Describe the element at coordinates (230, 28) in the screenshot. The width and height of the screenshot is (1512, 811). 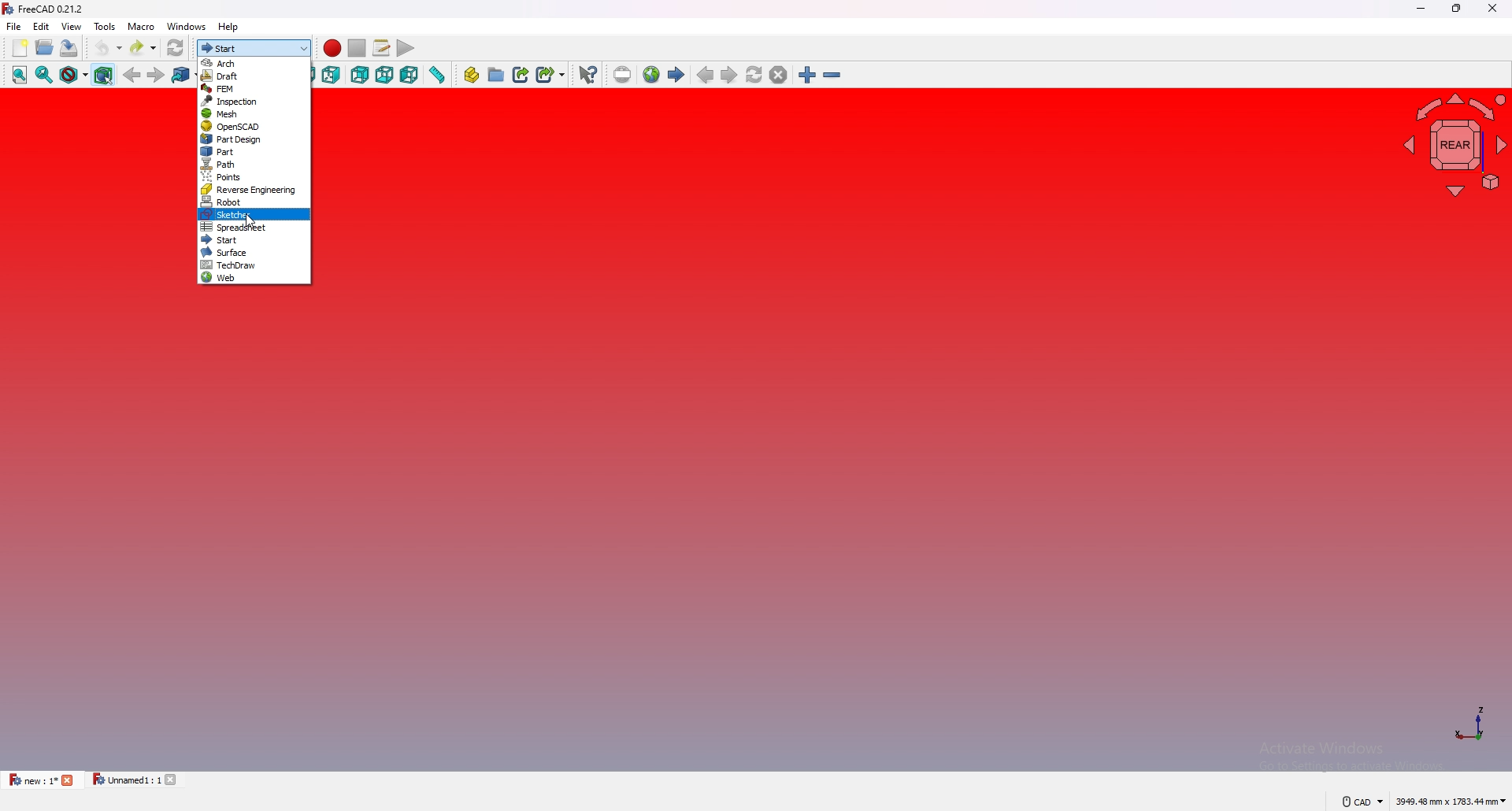
I see `help` at that location.